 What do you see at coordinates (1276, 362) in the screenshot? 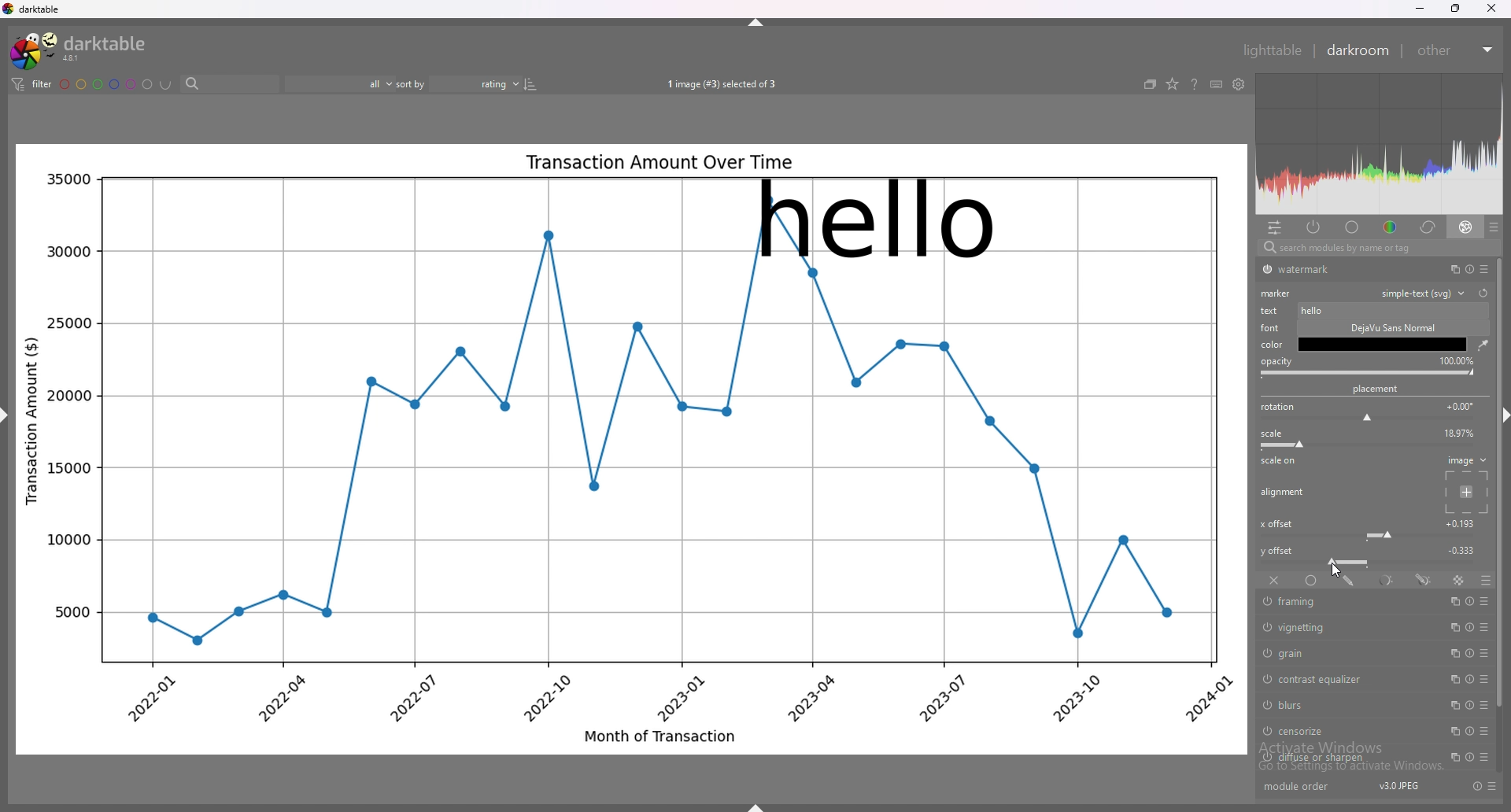
I see `opacity` at bounding box center [1276, 362].